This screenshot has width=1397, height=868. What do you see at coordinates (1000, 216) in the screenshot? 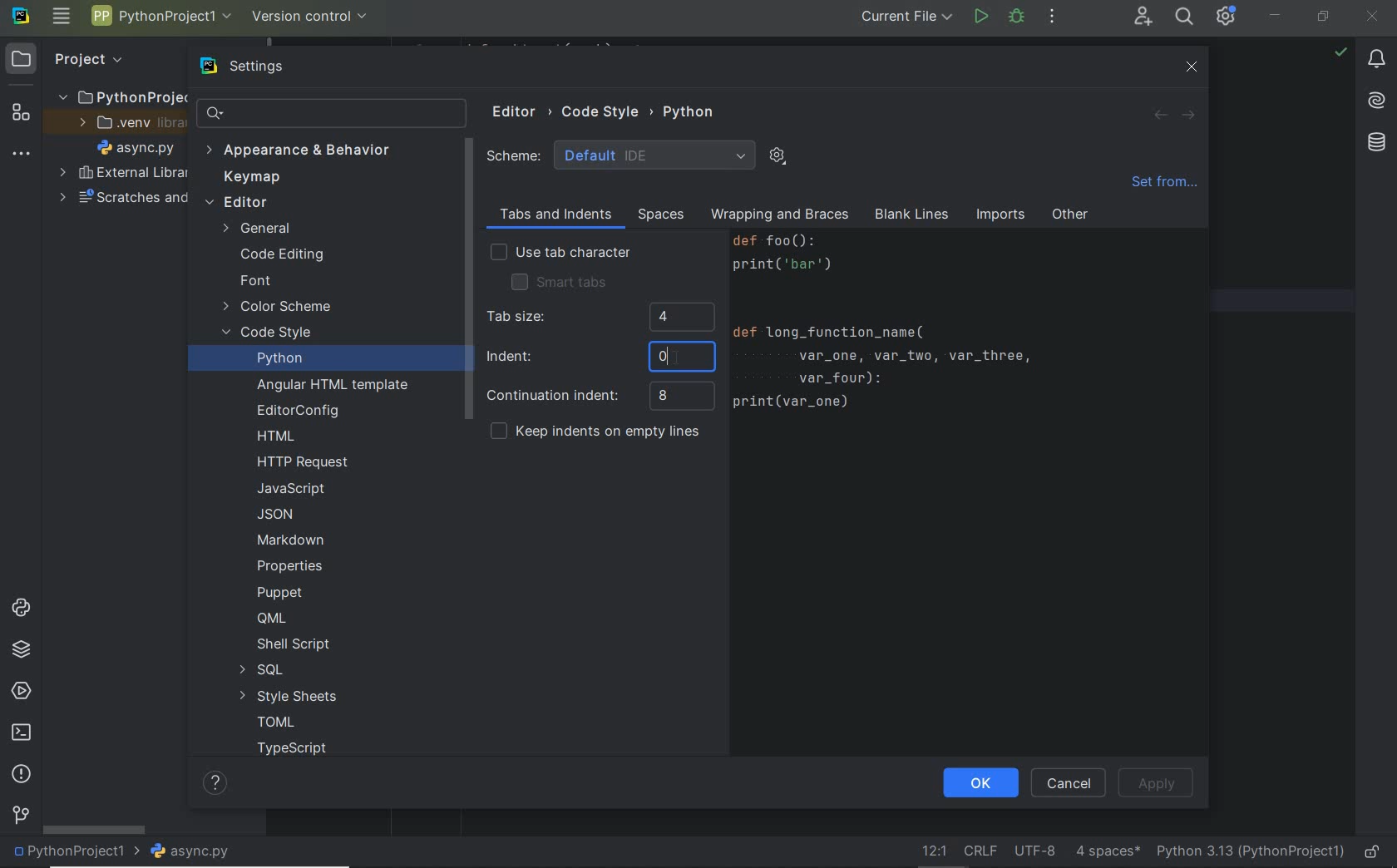
I see `imports` at bounding box center [1000, 216].